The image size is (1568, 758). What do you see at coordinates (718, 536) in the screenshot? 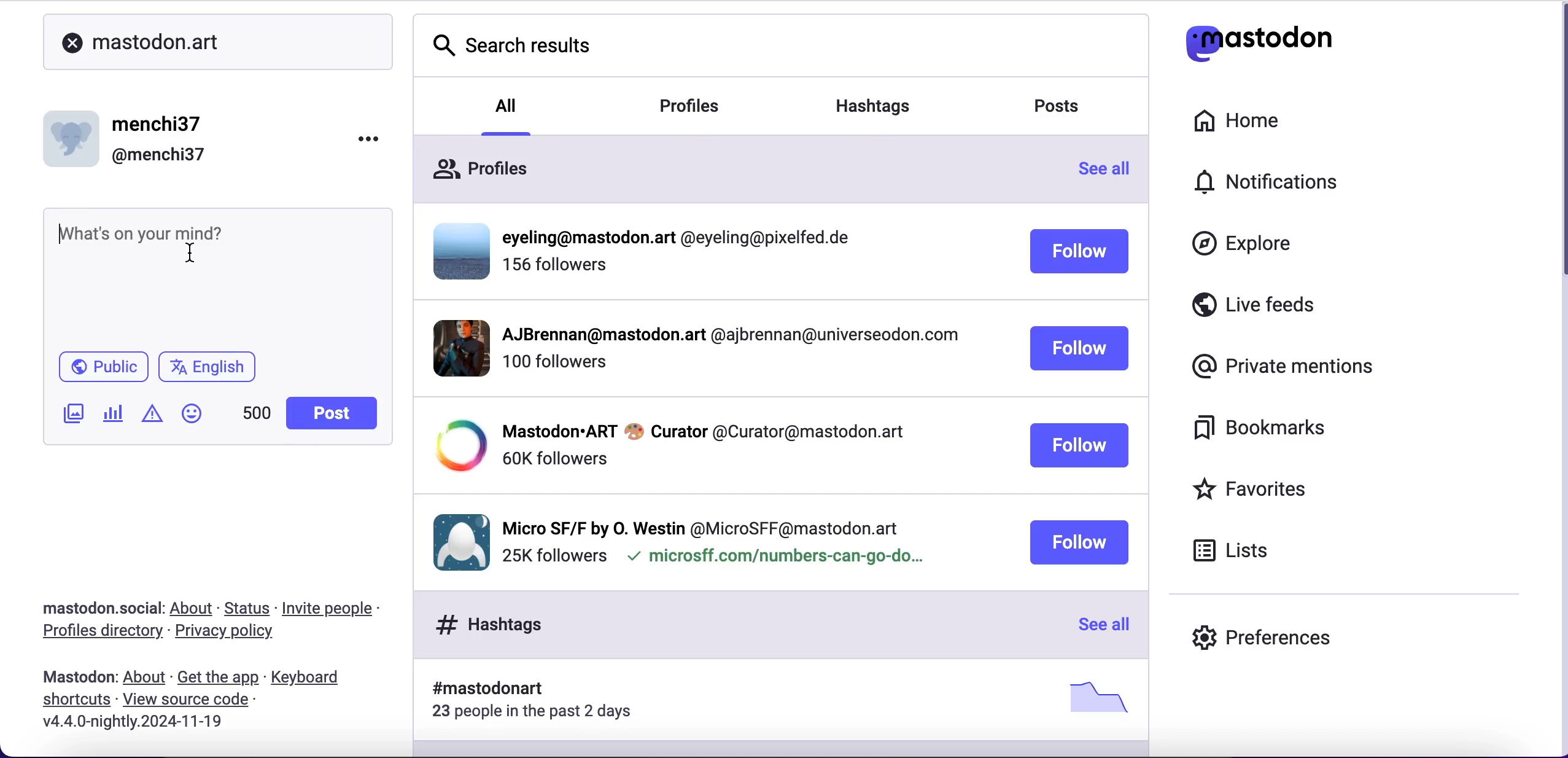
I see `user profile` at bounding box center [718, 536].